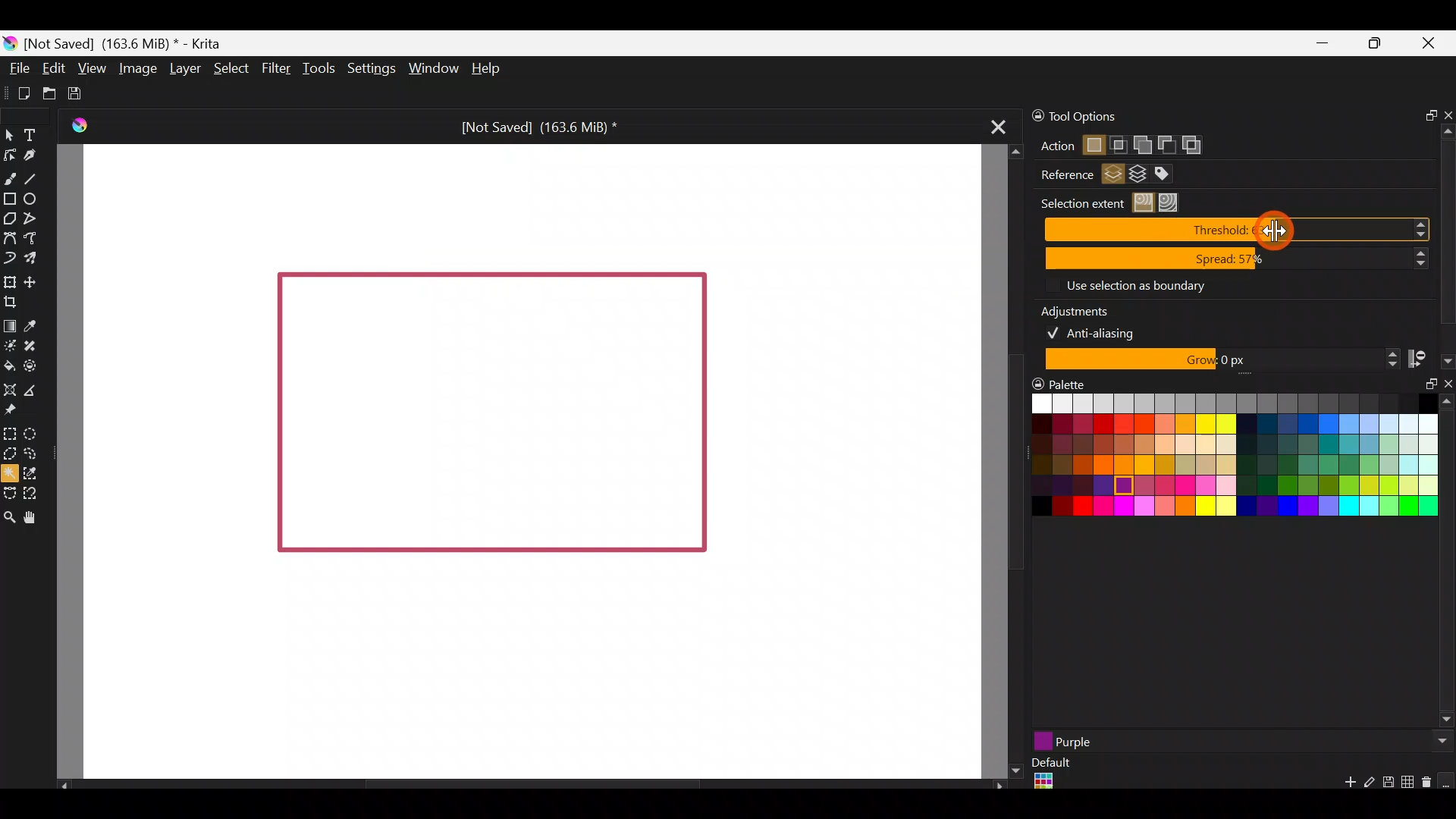 The height and width of the screenshot is (819, 1456). I want to click on Settings, so click(369, 66).